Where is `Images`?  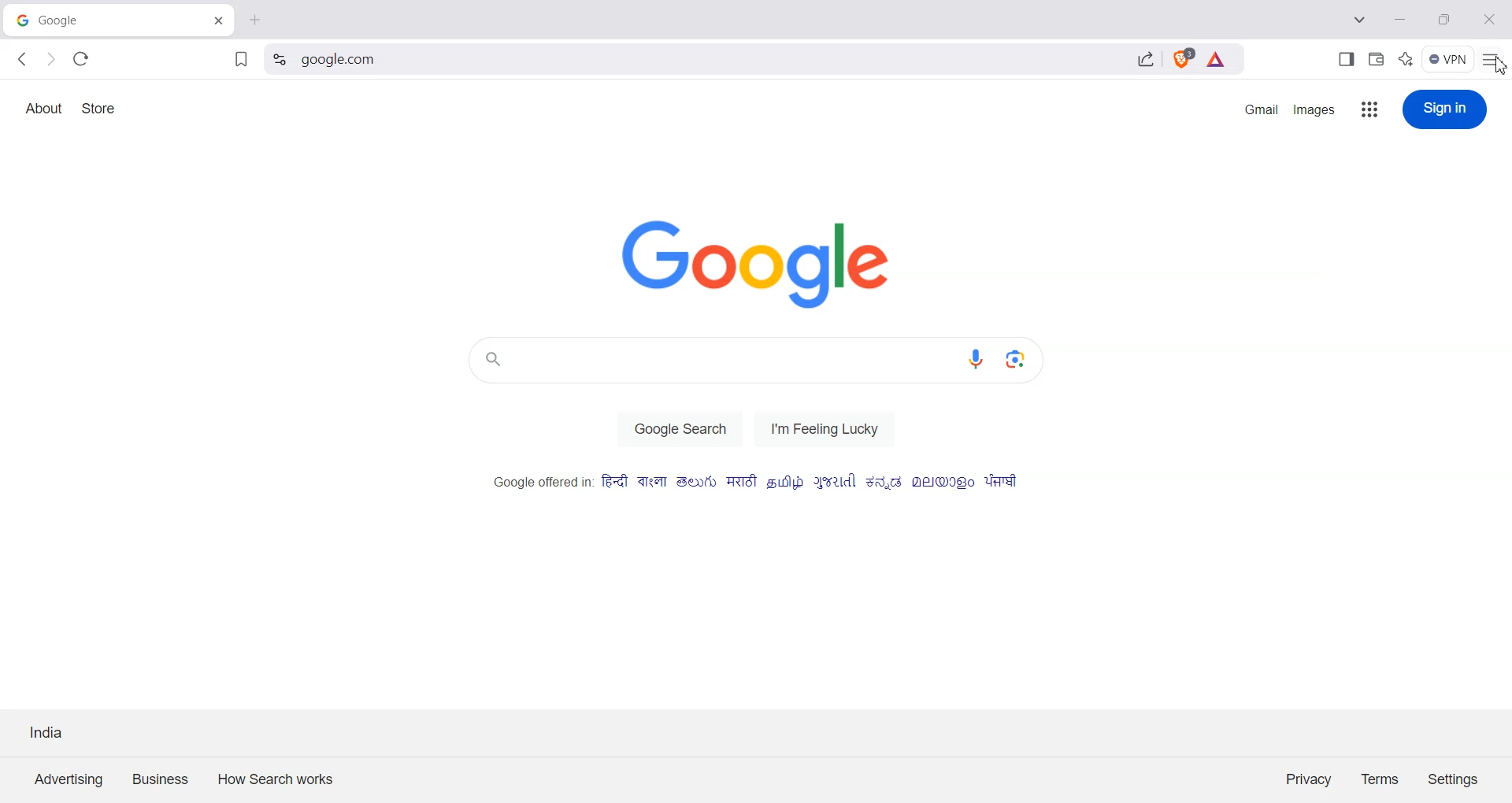
Images is located at coordinates (1317, 109).